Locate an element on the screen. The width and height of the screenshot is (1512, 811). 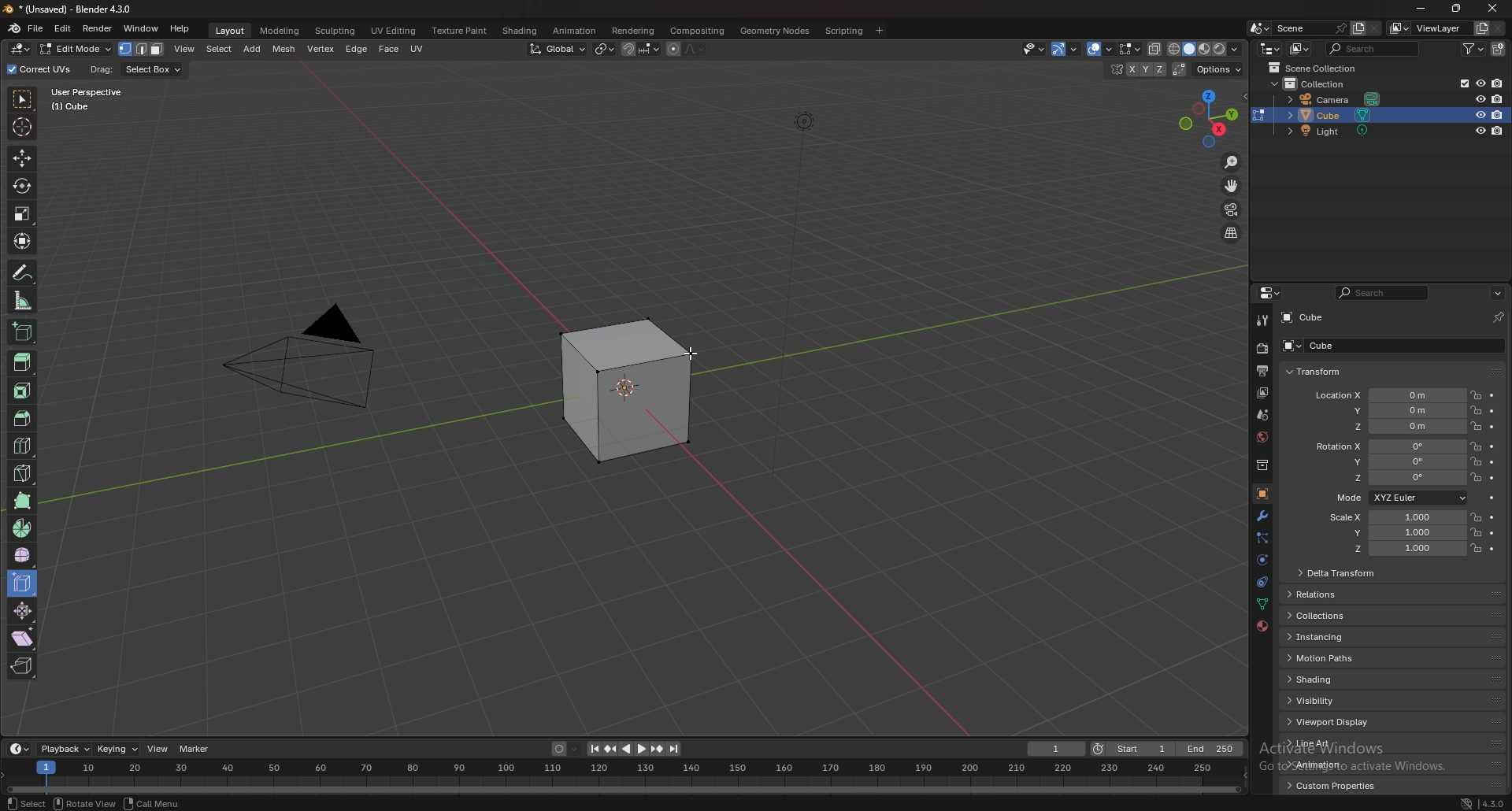
jump to keyframe is located at coordinates (657, 750).